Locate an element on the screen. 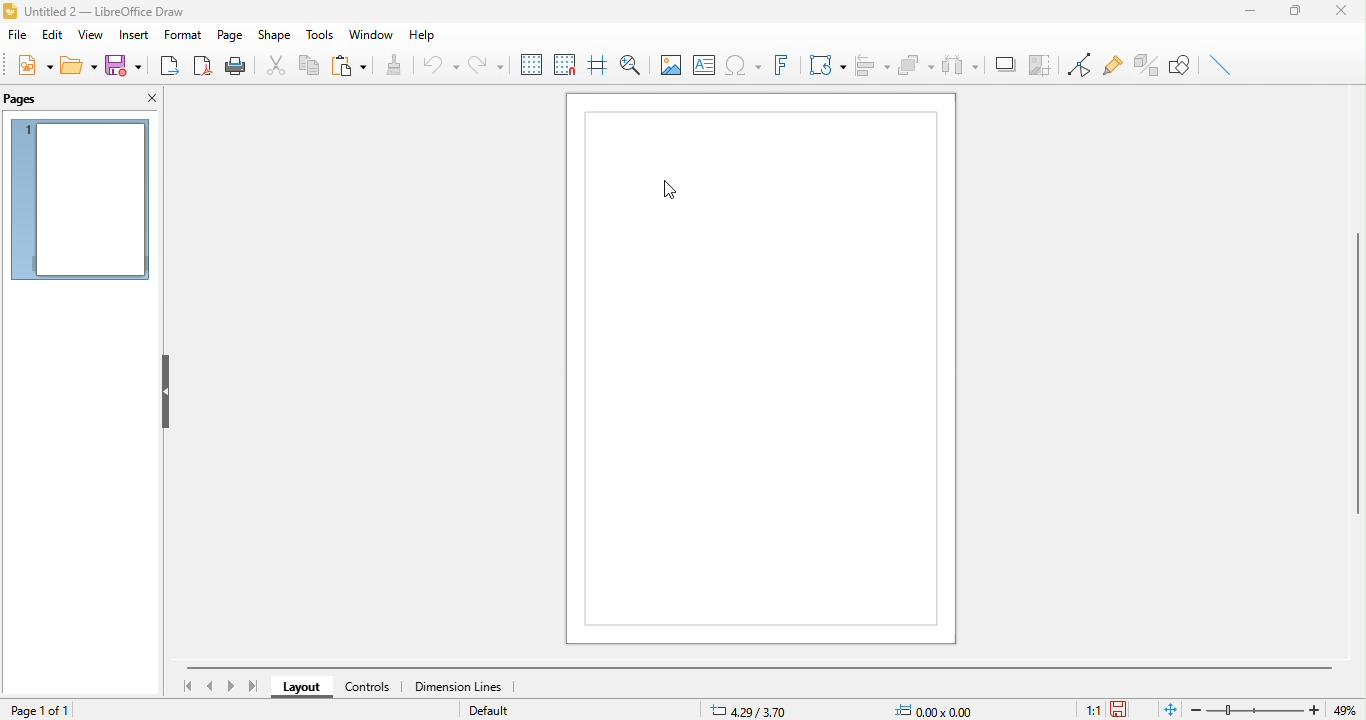 This screenshot has height=720, width=1366. 1:1 is located at coordinates (1089, 708).